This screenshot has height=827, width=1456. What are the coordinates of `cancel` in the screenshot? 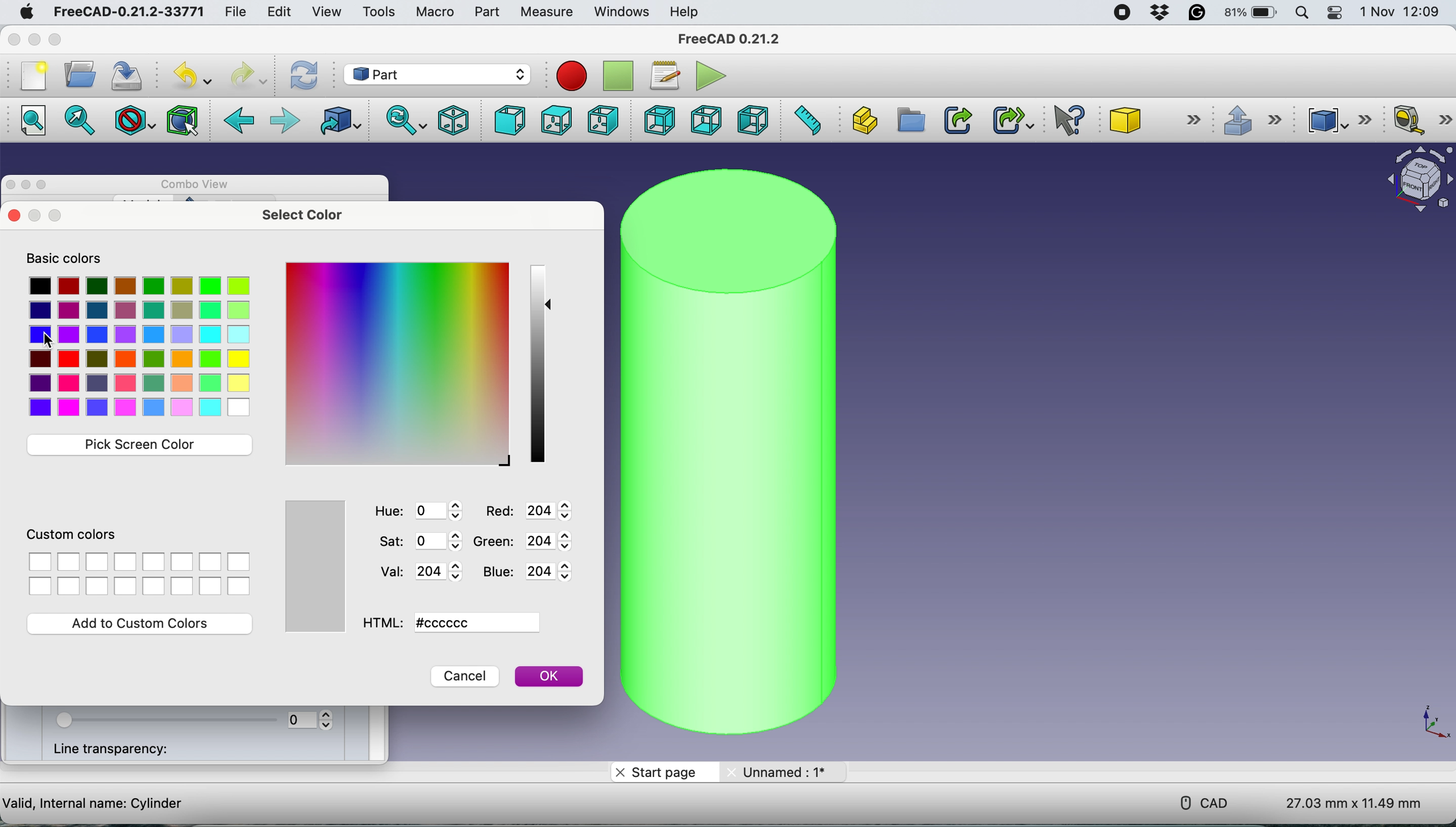 It's located at (465, 676).